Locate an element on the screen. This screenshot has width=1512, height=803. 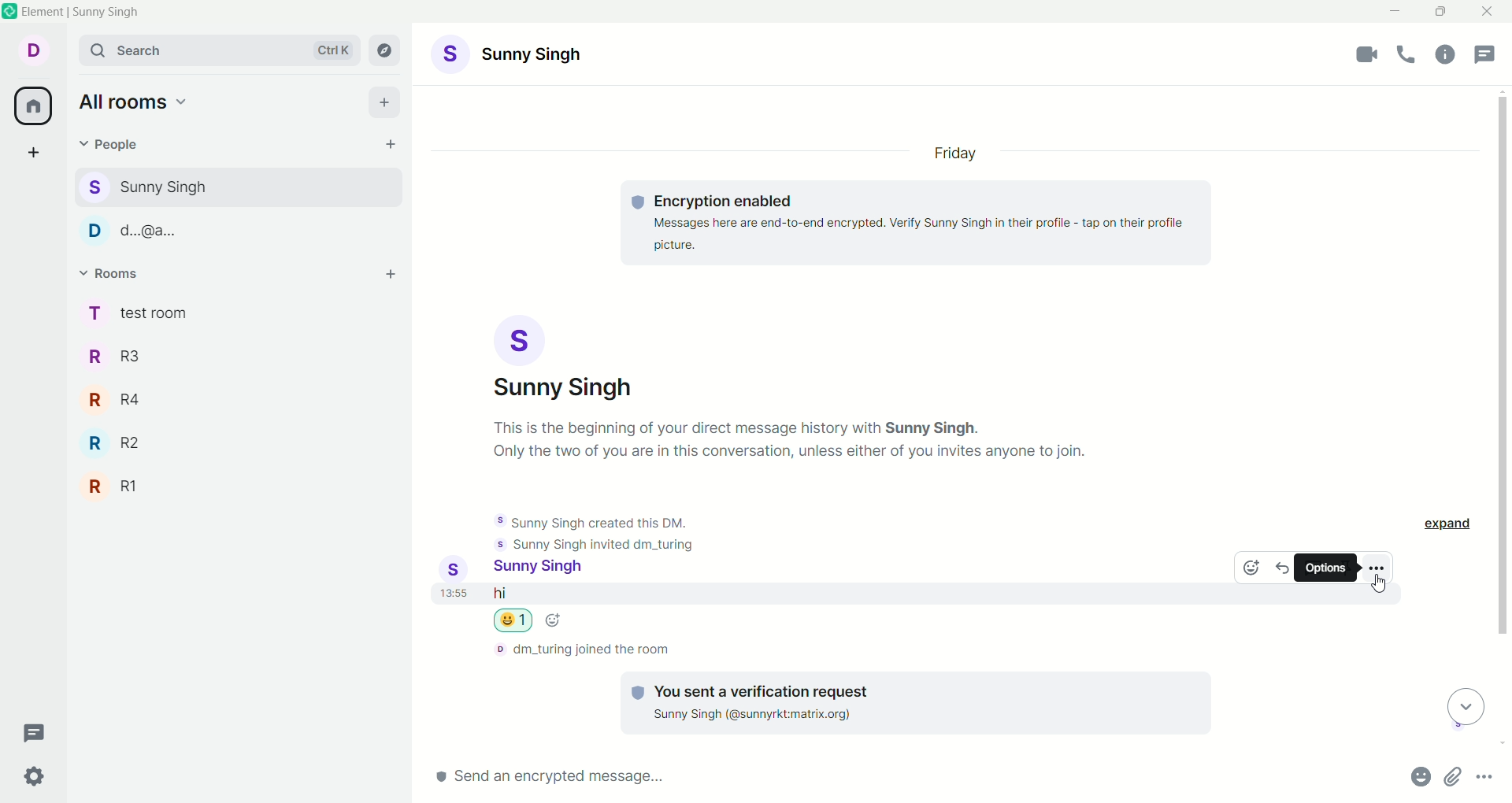
emoji is located at coordinates (1248, 570).